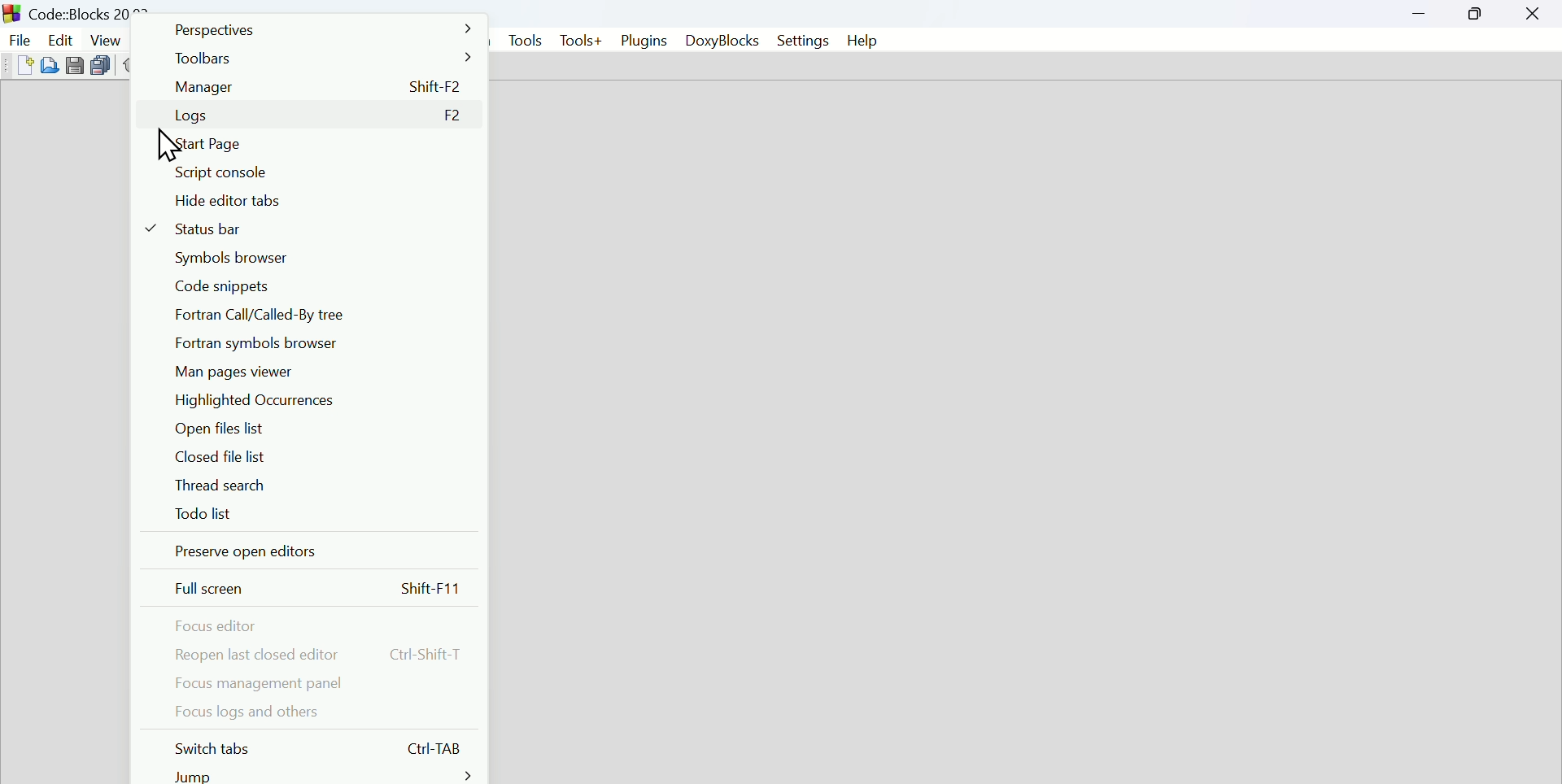 This screenshot has width=1562, height=784. I want to click on Symbiosis browser, so click(321, 259).